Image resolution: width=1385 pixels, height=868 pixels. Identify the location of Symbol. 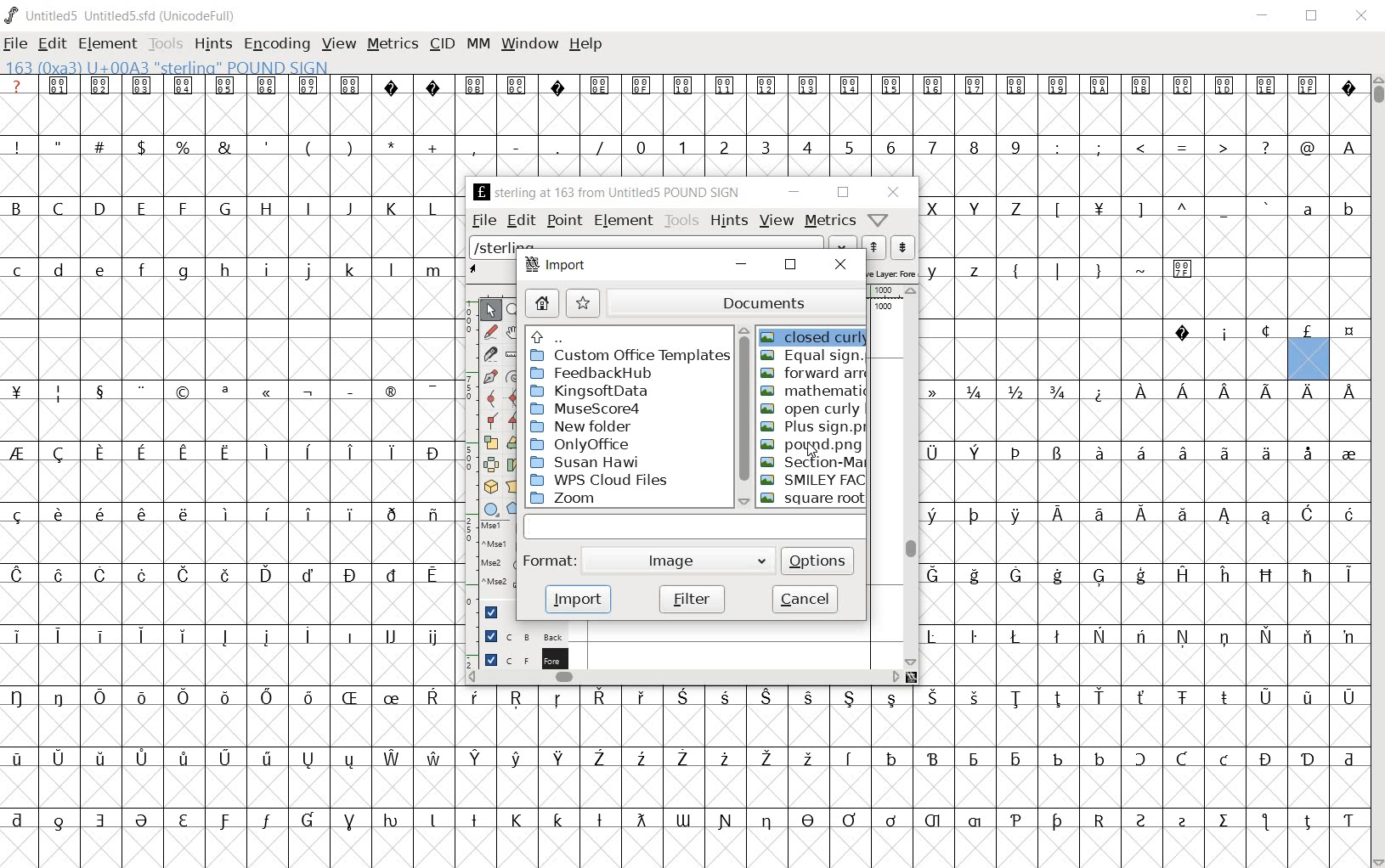
(59, 454).